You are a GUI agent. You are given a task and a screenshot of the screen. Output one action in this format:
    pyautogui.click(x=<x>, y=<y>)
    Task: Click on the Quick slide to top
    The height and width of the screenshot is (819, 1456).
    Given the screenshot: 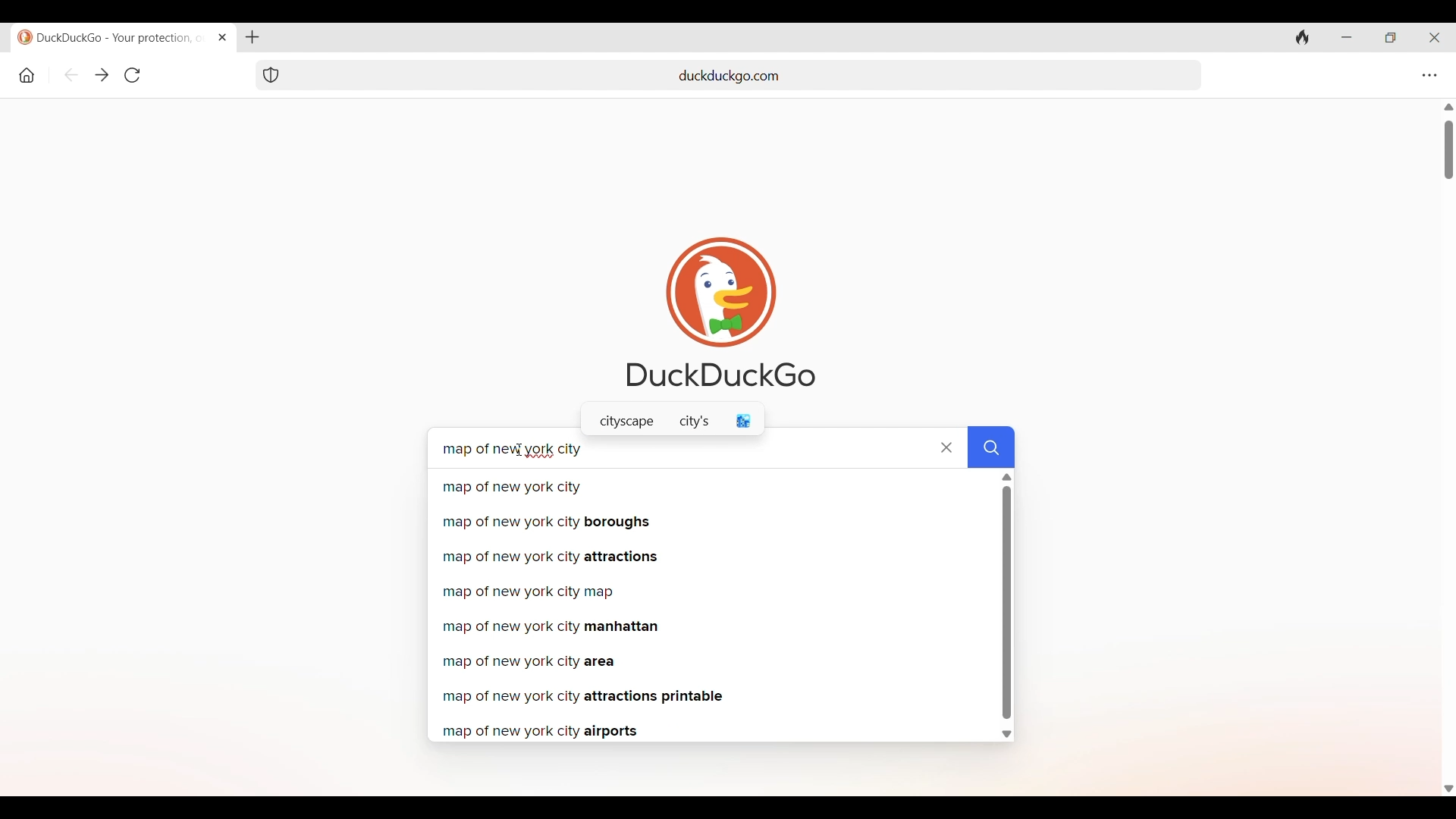 What is the action you would take?
    pyautogui.click(x=1007, y=477)
    